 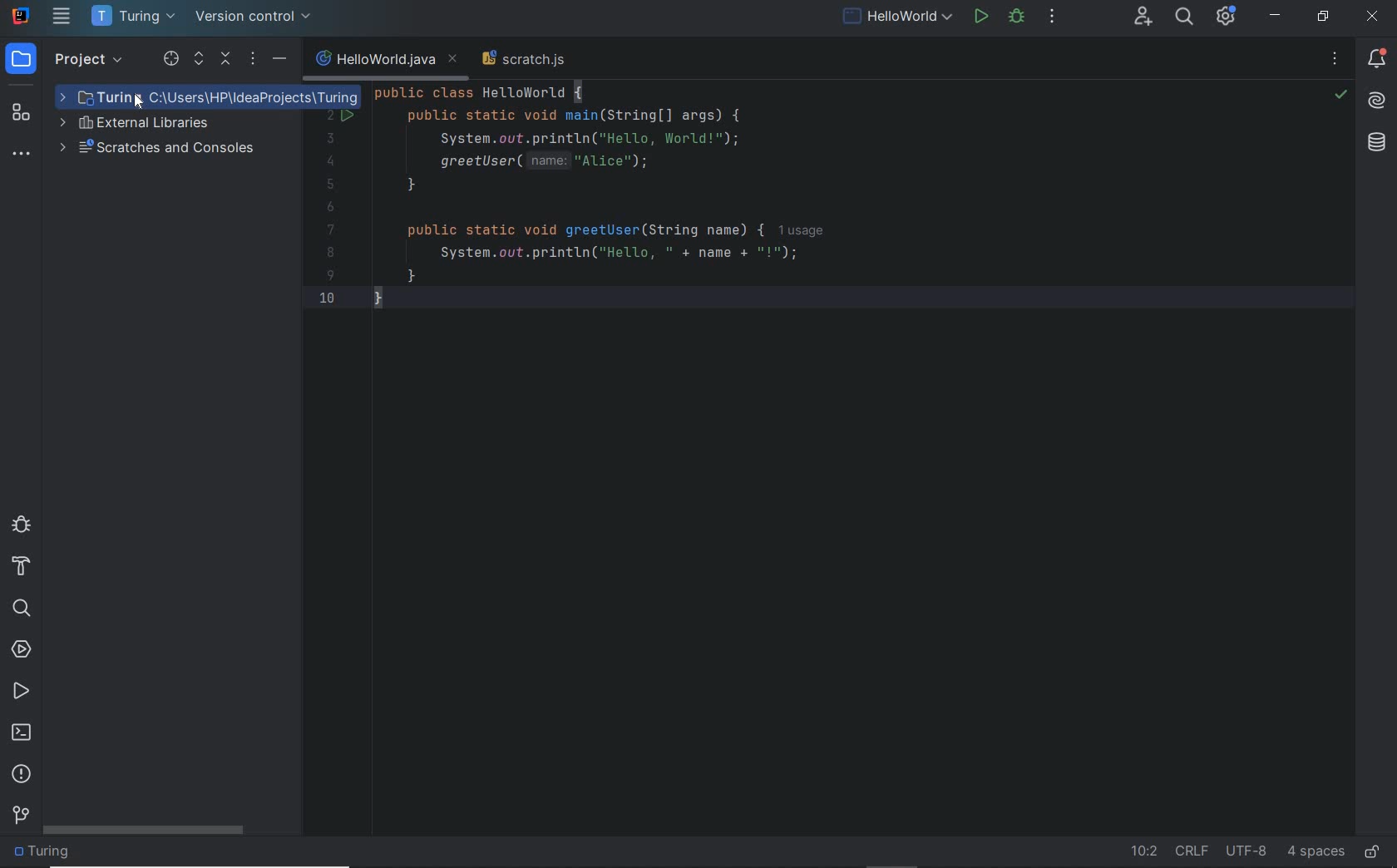 What do you see at coordinates (24, 608) in the screenshot?
I see `search` at bounding box center [24, 608].